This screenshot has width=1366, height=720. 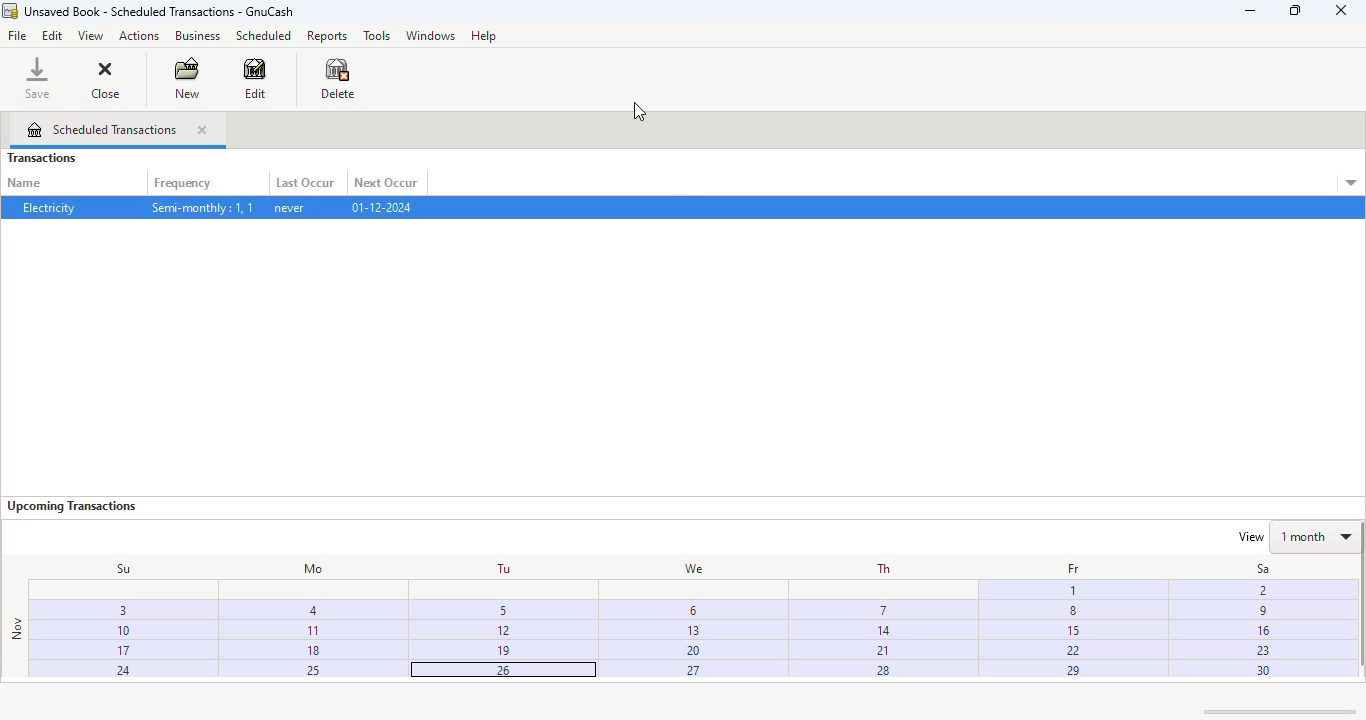 What do you see at coordinates (1073, 650) in the screenshot?
I see `22` at bounding box center [1073, 650].